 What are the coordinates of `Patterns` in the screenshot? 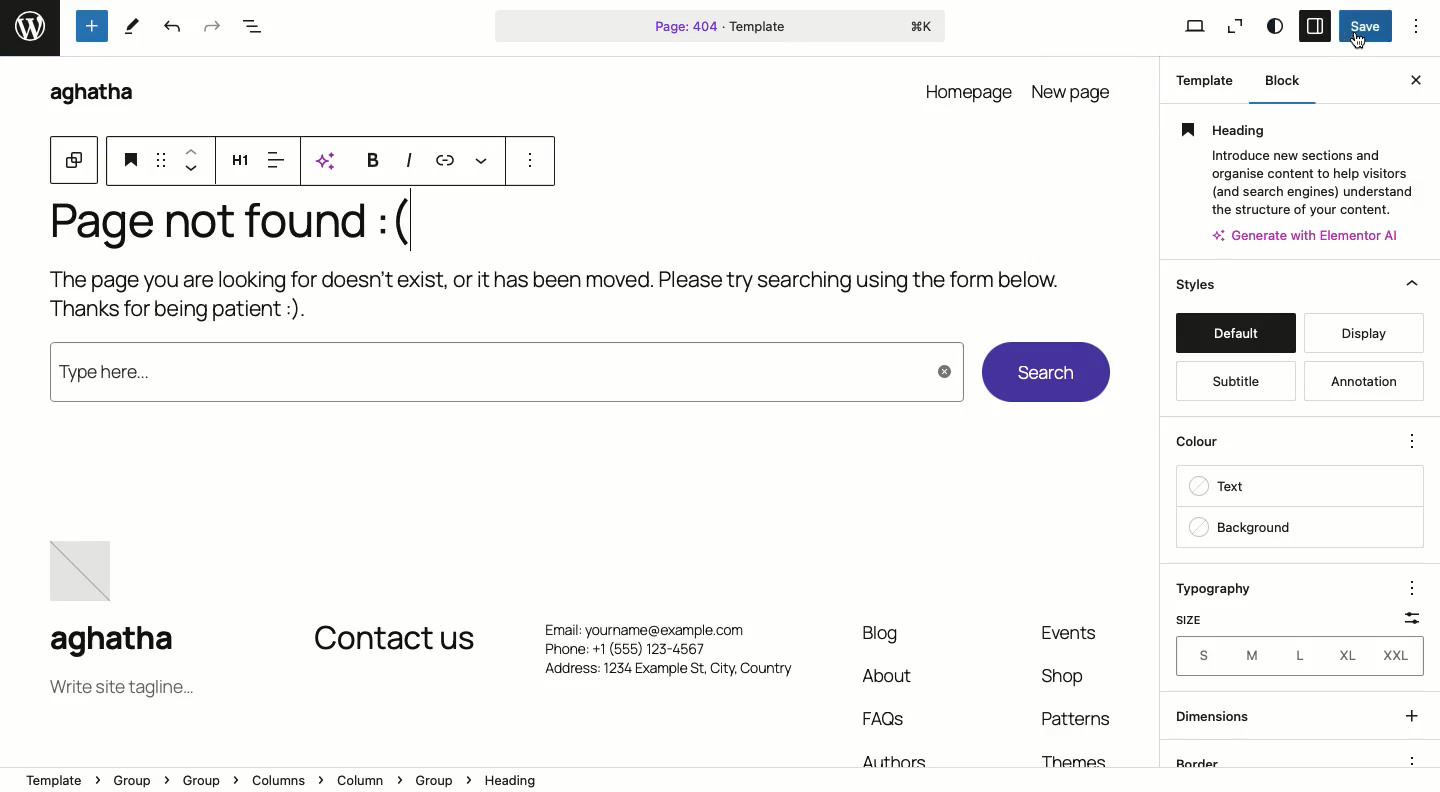 It's located at (1081, 725).